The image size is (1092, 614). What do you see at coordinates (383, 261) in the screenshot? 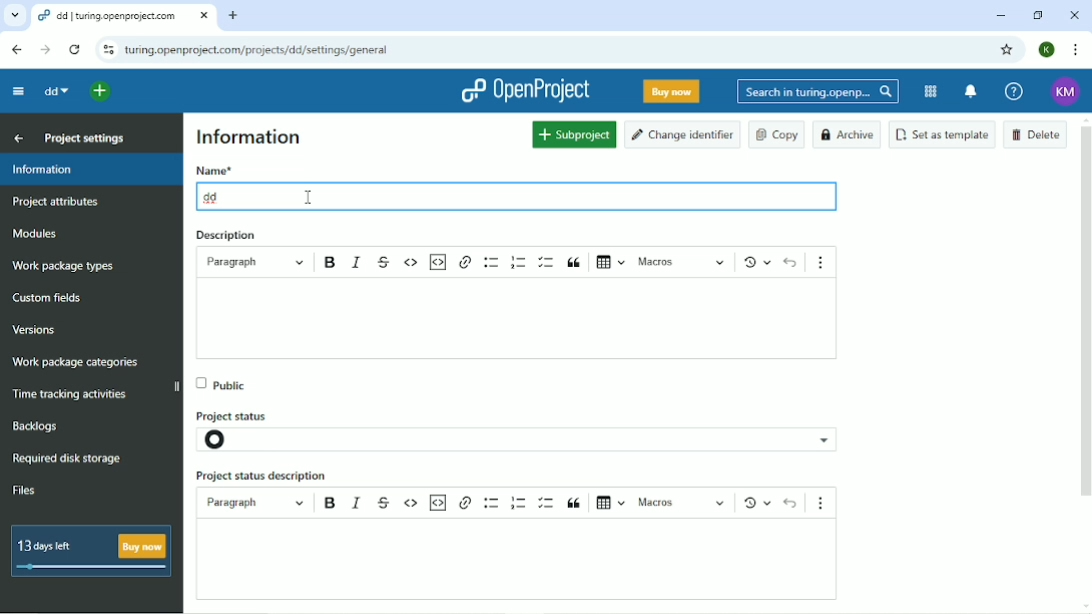
I see `Strikethrough` at bounding box center [383, 261].